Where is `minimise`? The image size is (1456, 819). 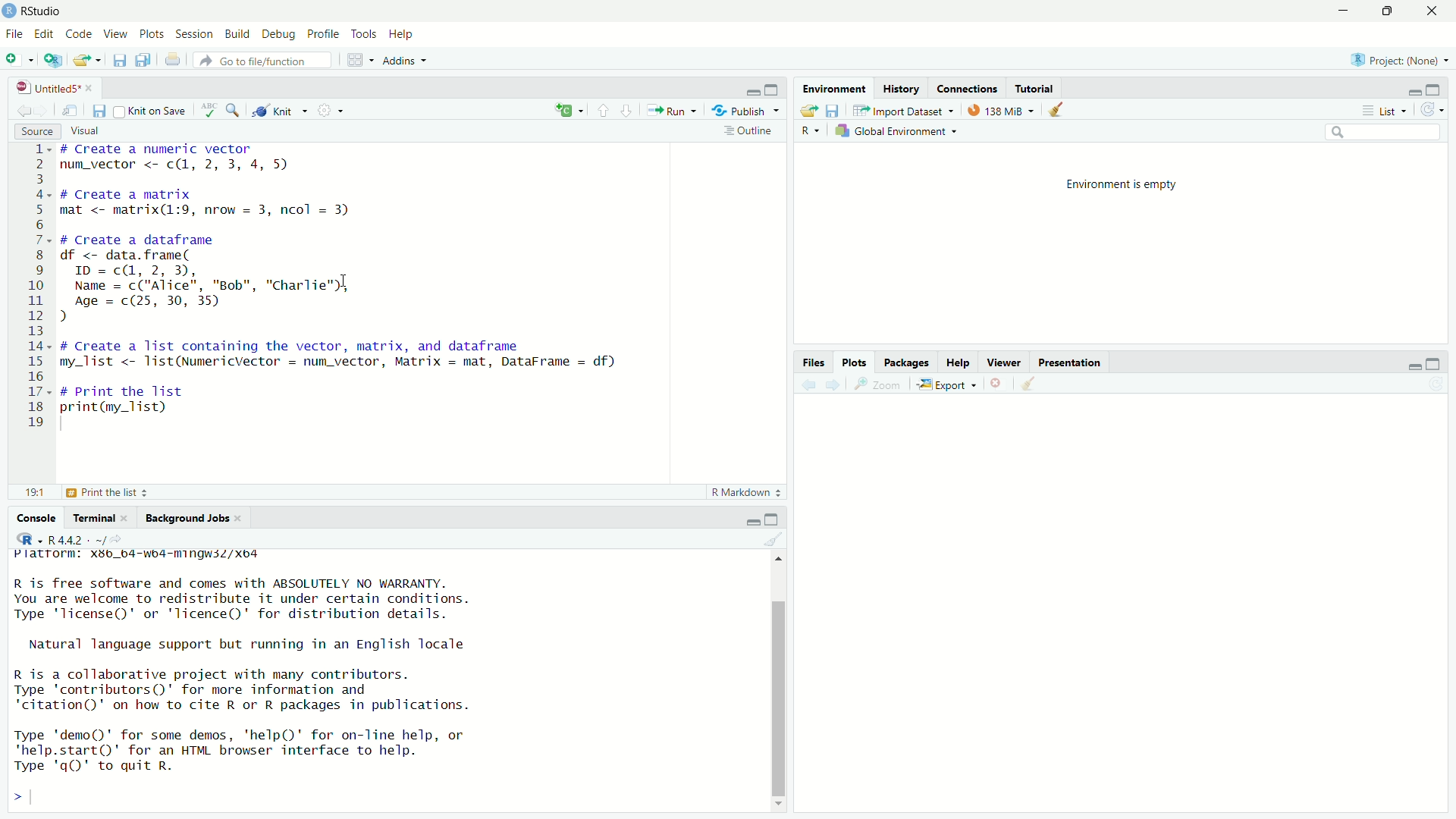 minimise is located at coordinates (1409, 368).